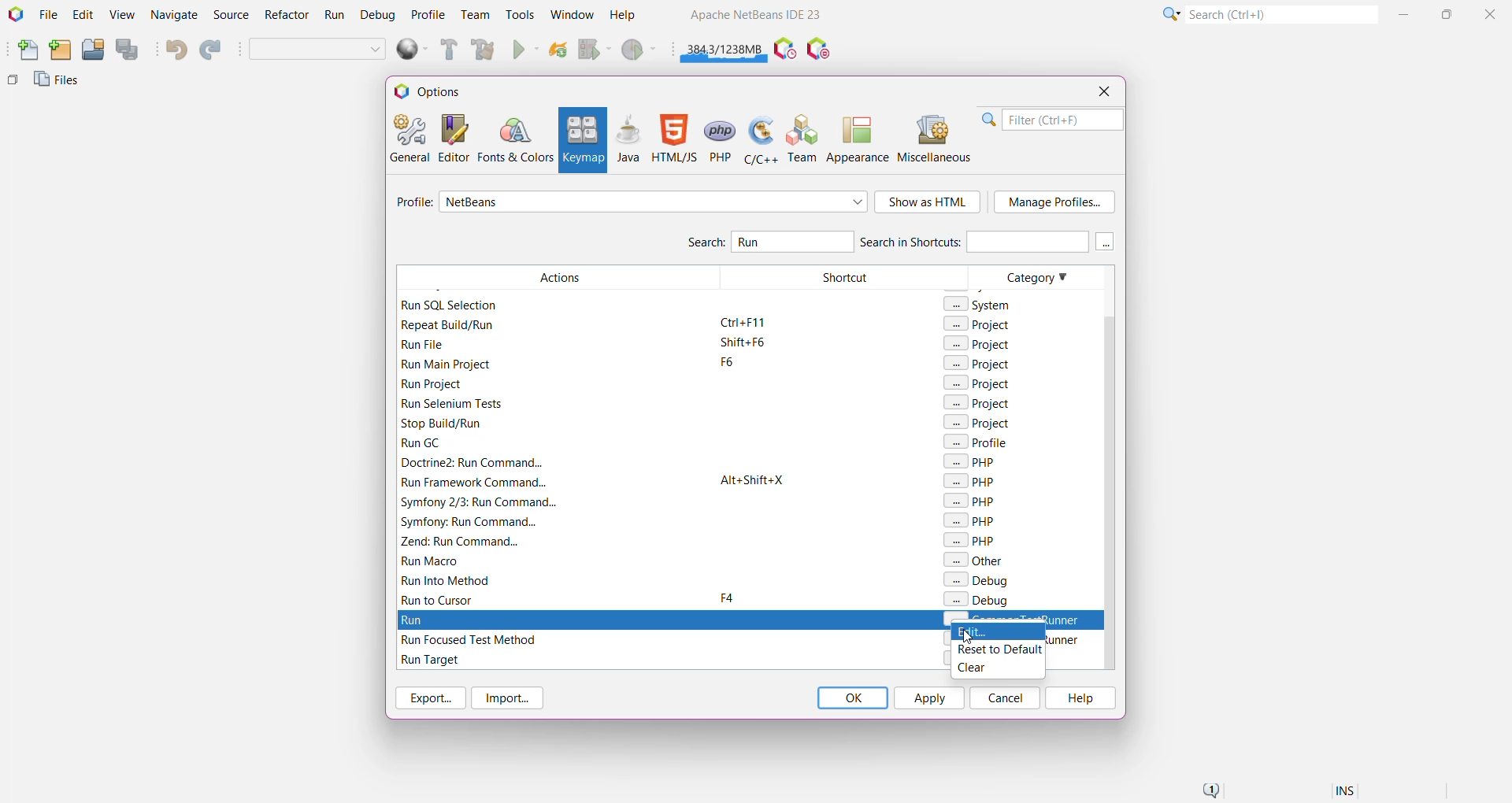 This screenshot has height=803, width=1512. I want to click on Maximize, so click(1449, 13).